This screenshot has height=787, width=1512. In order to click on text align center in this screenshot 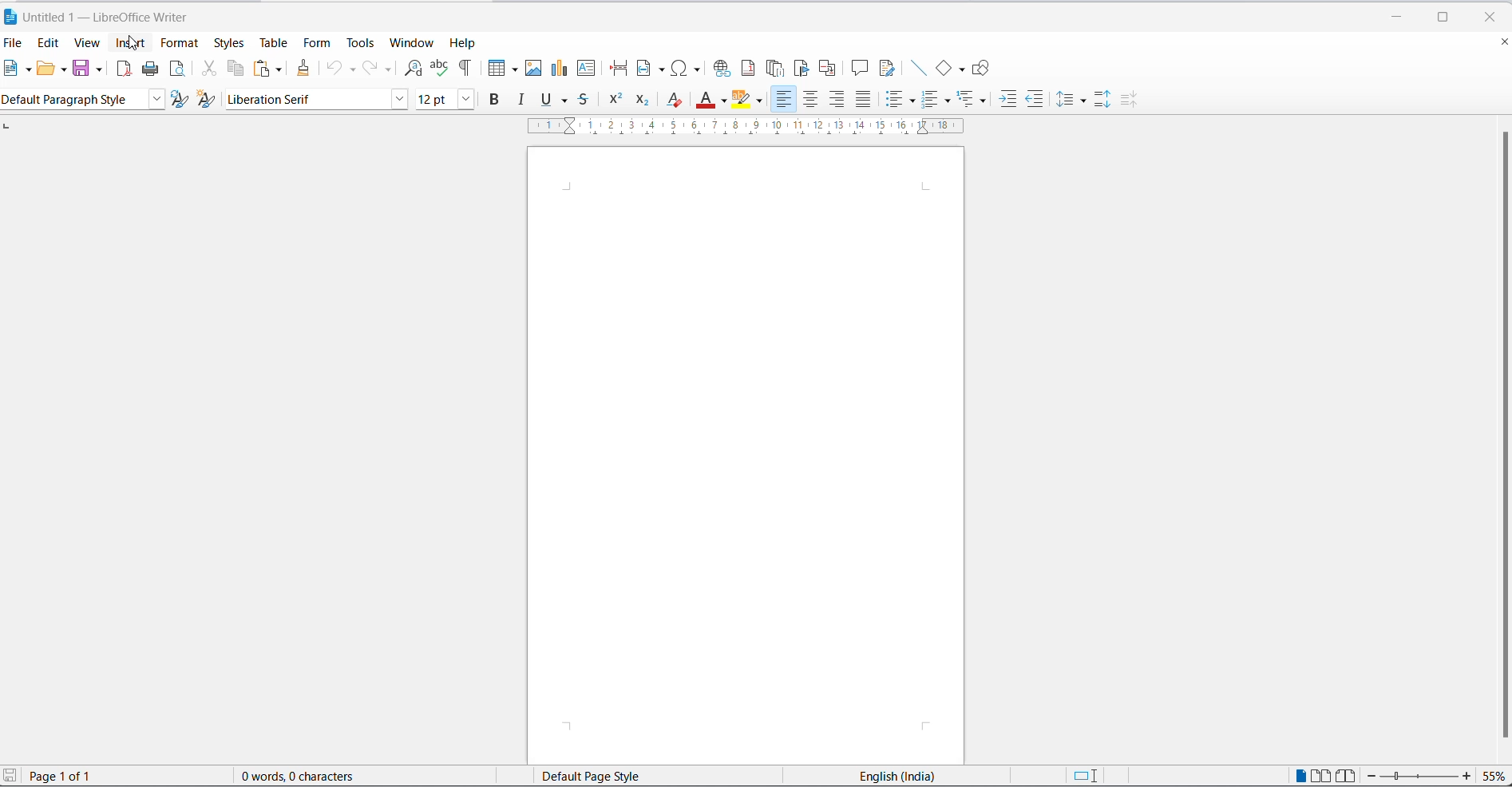, I will do `click(809, 100)`.